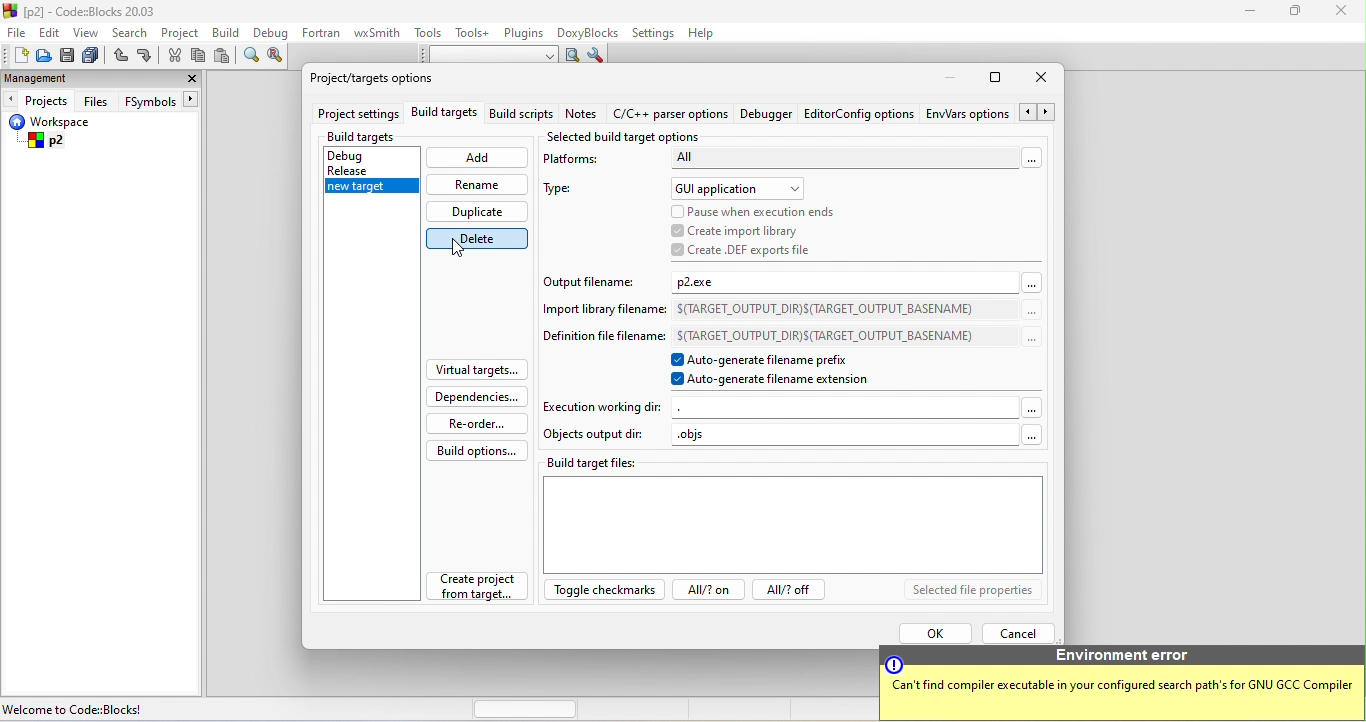 The image size is (1366, 722). I want to click on objs, so click(857, 437).